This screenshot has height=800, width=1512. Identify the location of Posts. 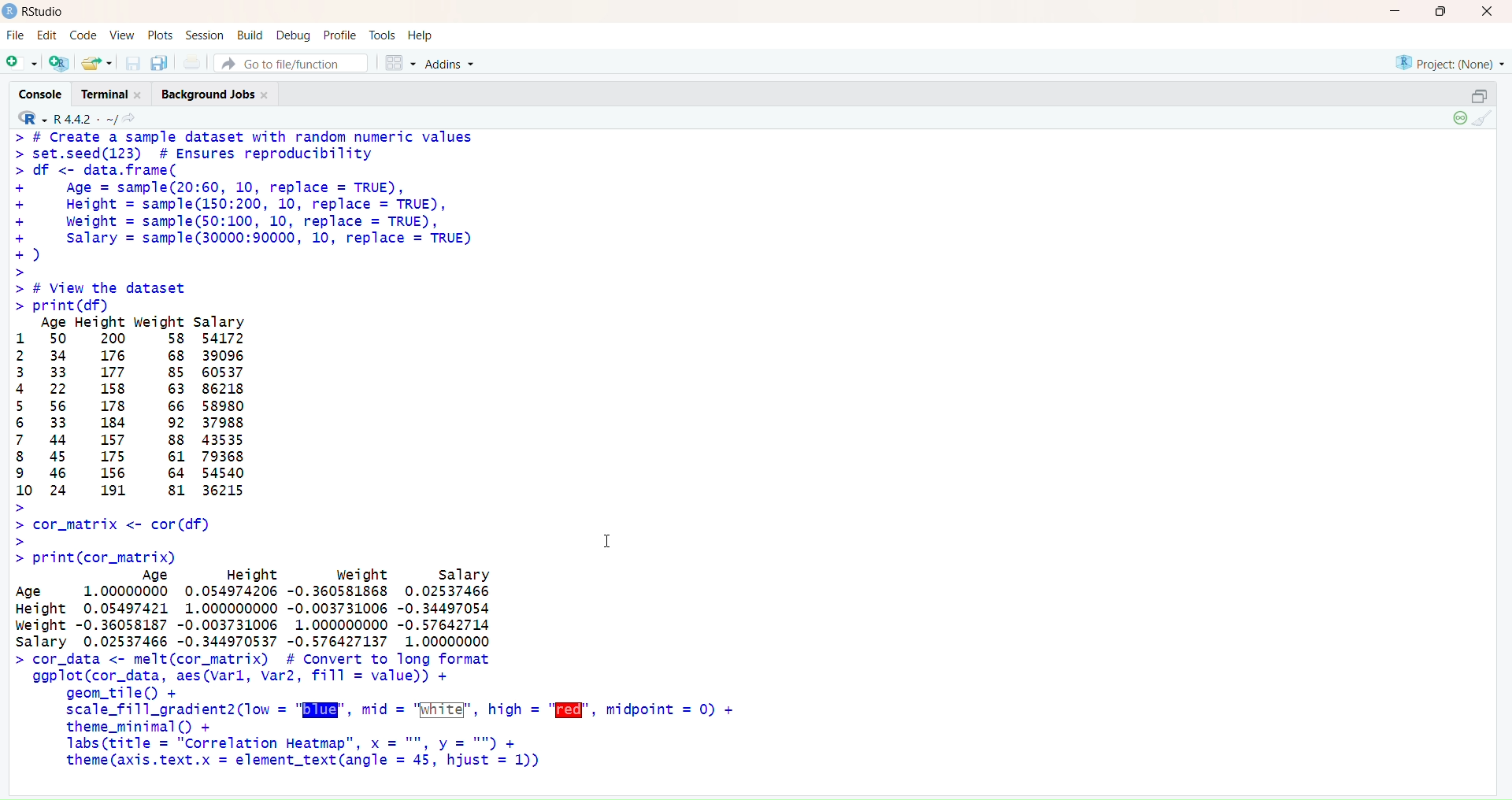
(157, 35).